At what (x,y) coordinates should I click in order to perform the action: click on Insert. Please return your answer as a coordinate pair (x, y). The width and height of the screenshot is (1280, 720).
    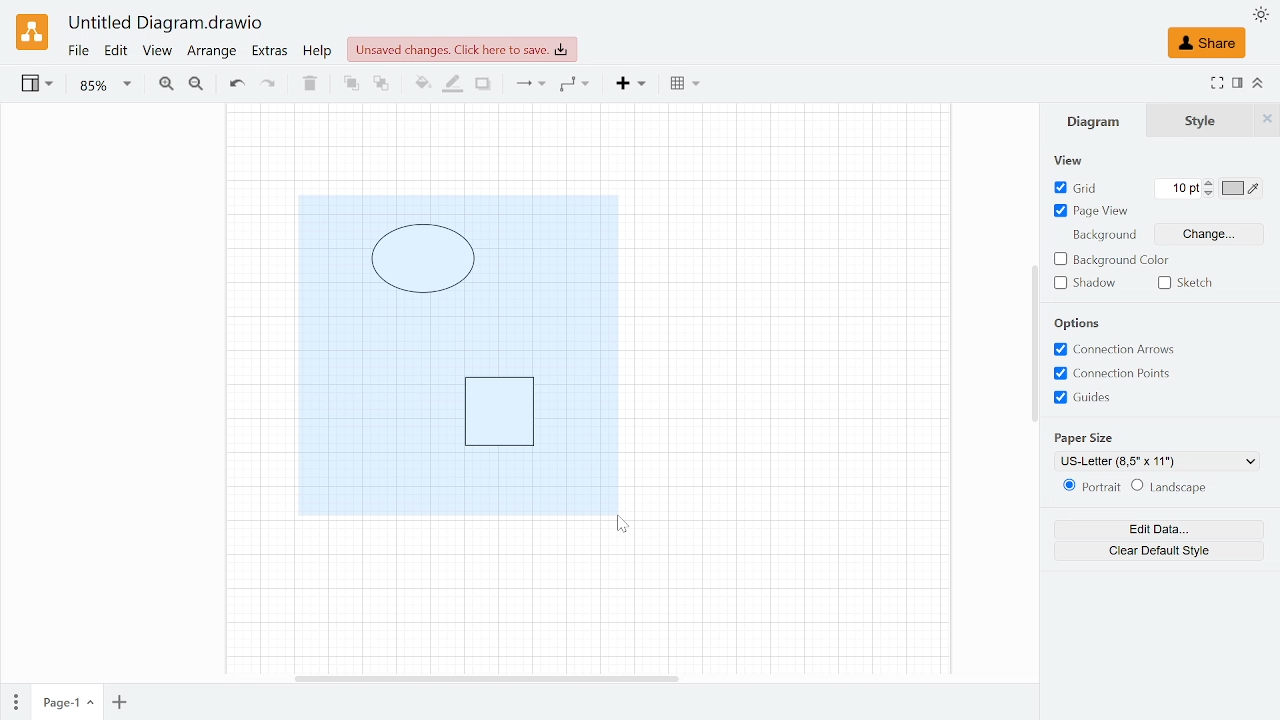
    Looking at the image, I should click on (632, 84).